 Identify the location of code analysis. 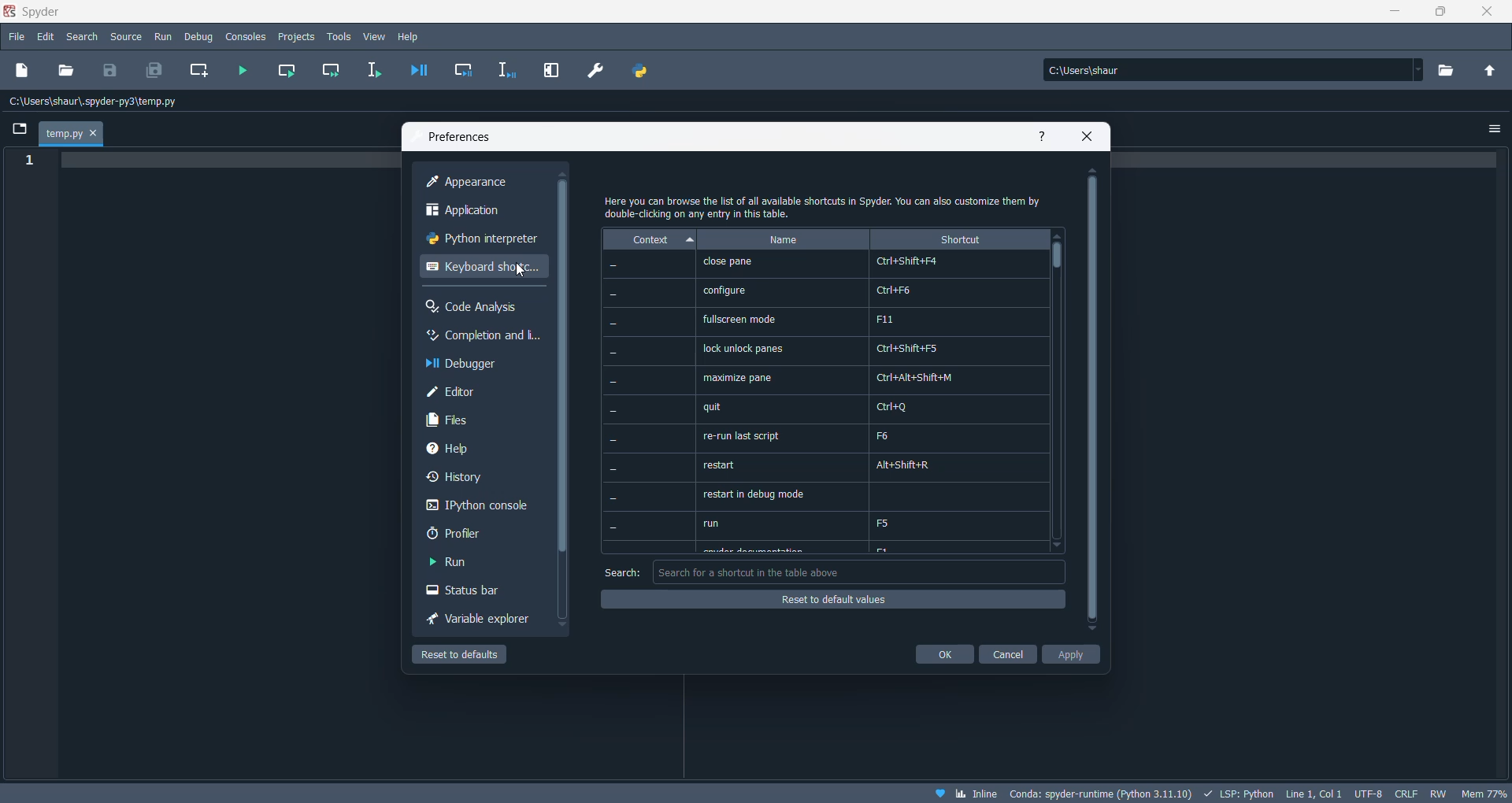
(476, 308).